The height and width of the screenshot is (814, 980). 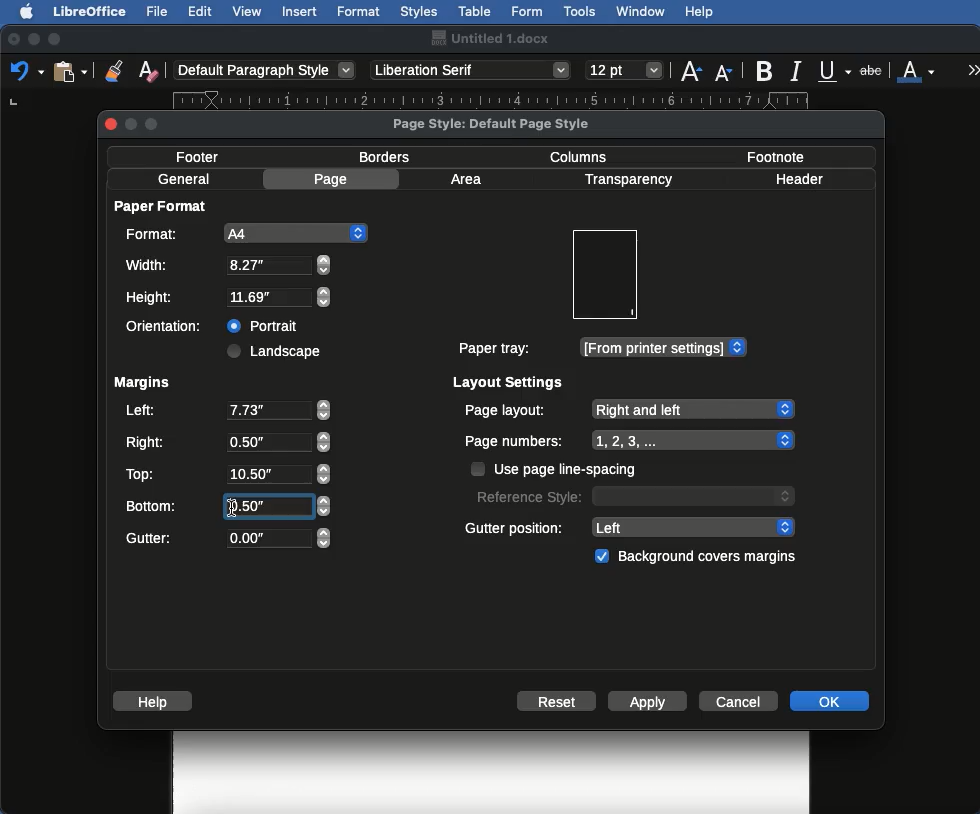 What do you see at coordinates (728, 72) in the screenshot?
I see `Size decrease` at bounding box center [728, 72].